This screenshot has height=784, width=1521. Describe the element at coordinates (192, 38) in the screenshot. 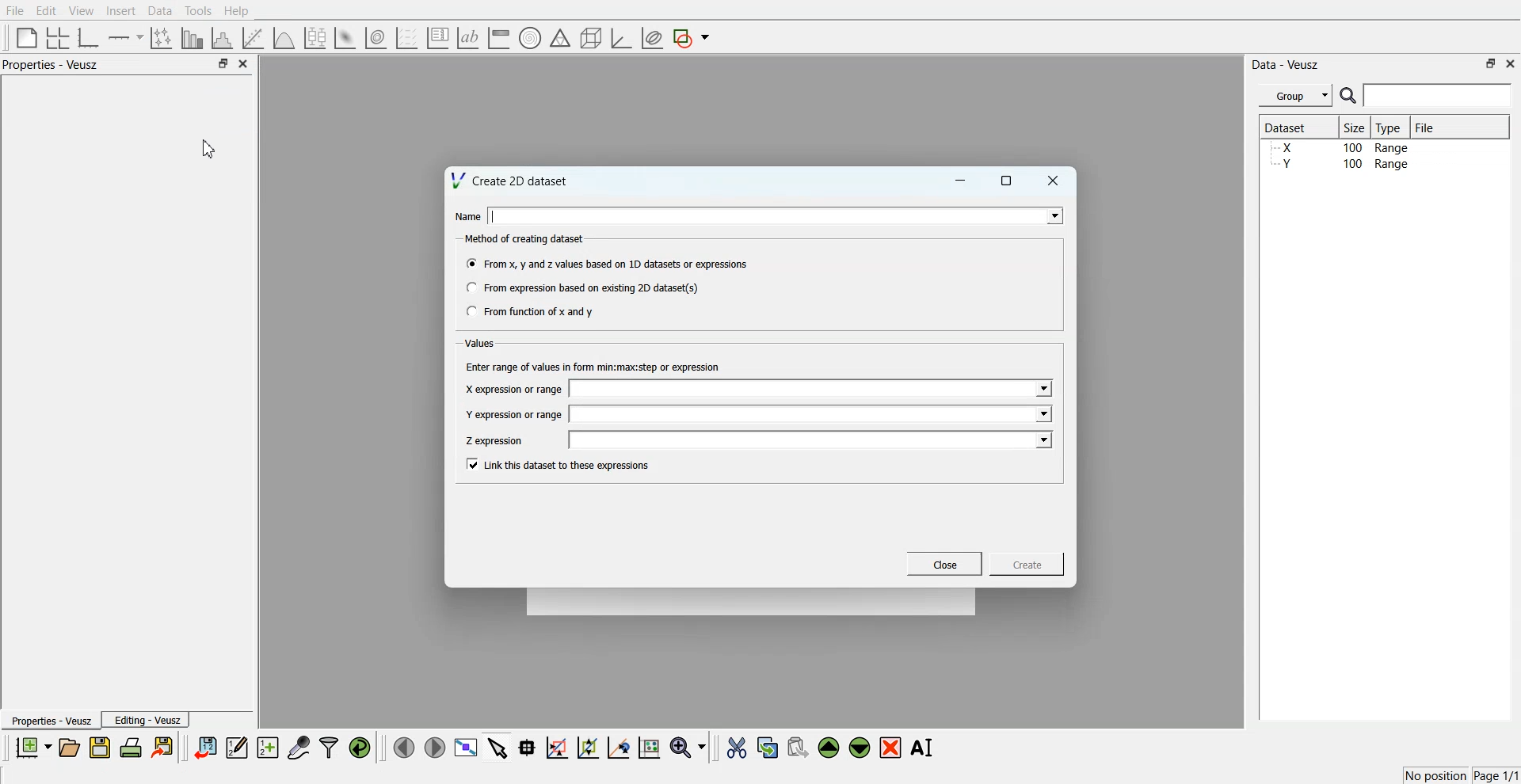

I see `Plot bar chart` at that location.